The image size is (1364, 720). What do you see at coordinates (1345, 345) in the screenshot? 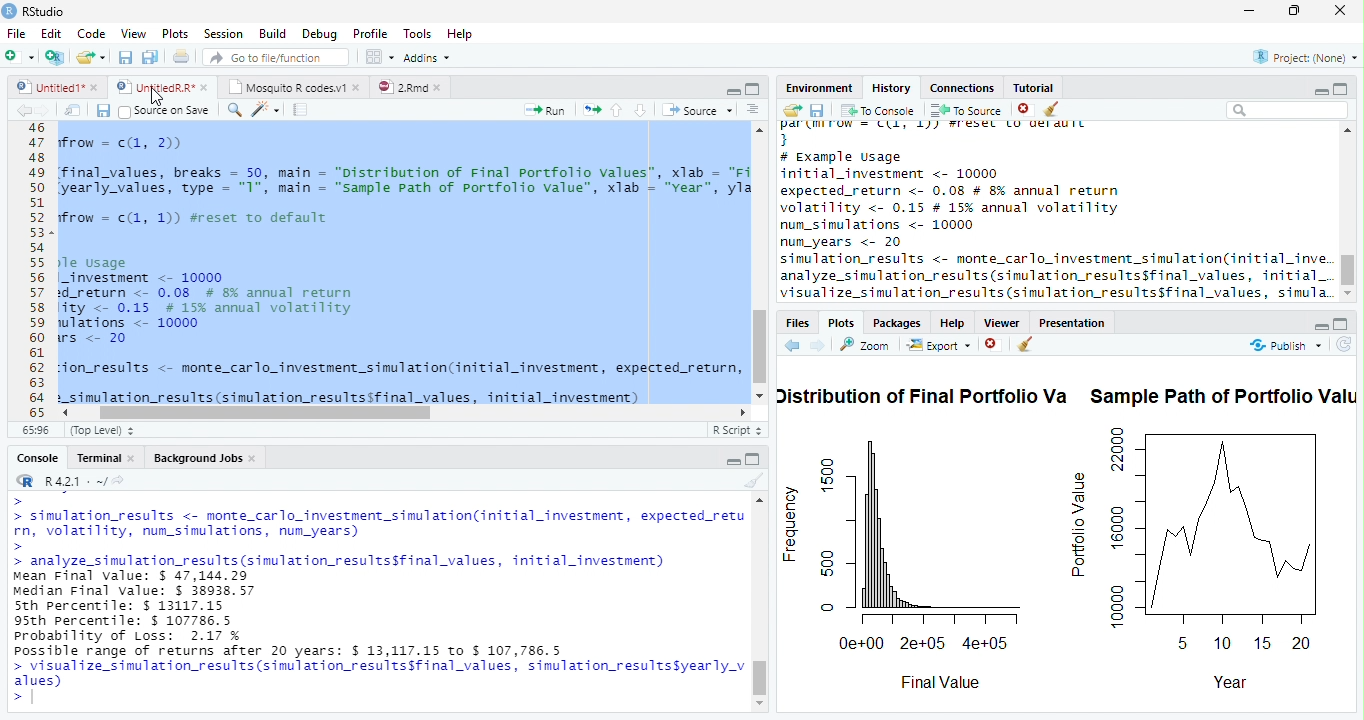
I see `Refresh List` at bounding box center [1345, 345].